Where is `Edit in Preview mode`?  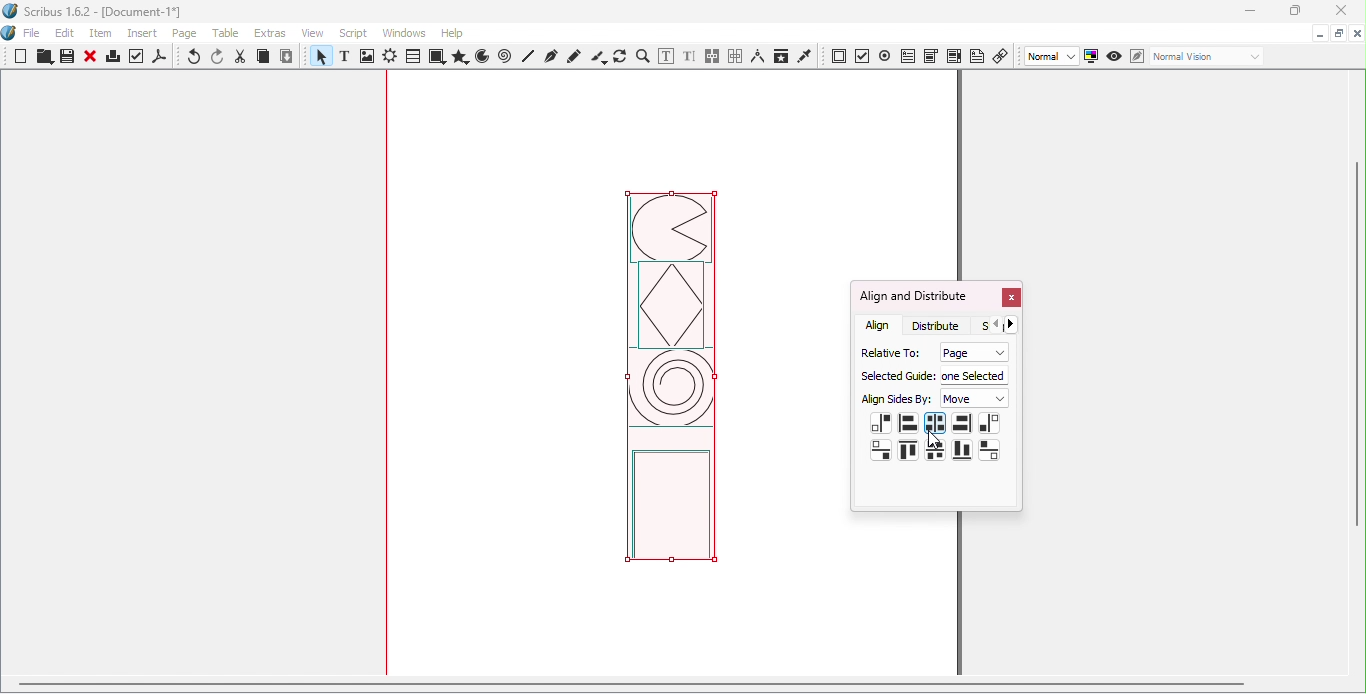 Edit in Preview mode is located at coordinates (1136, 55).